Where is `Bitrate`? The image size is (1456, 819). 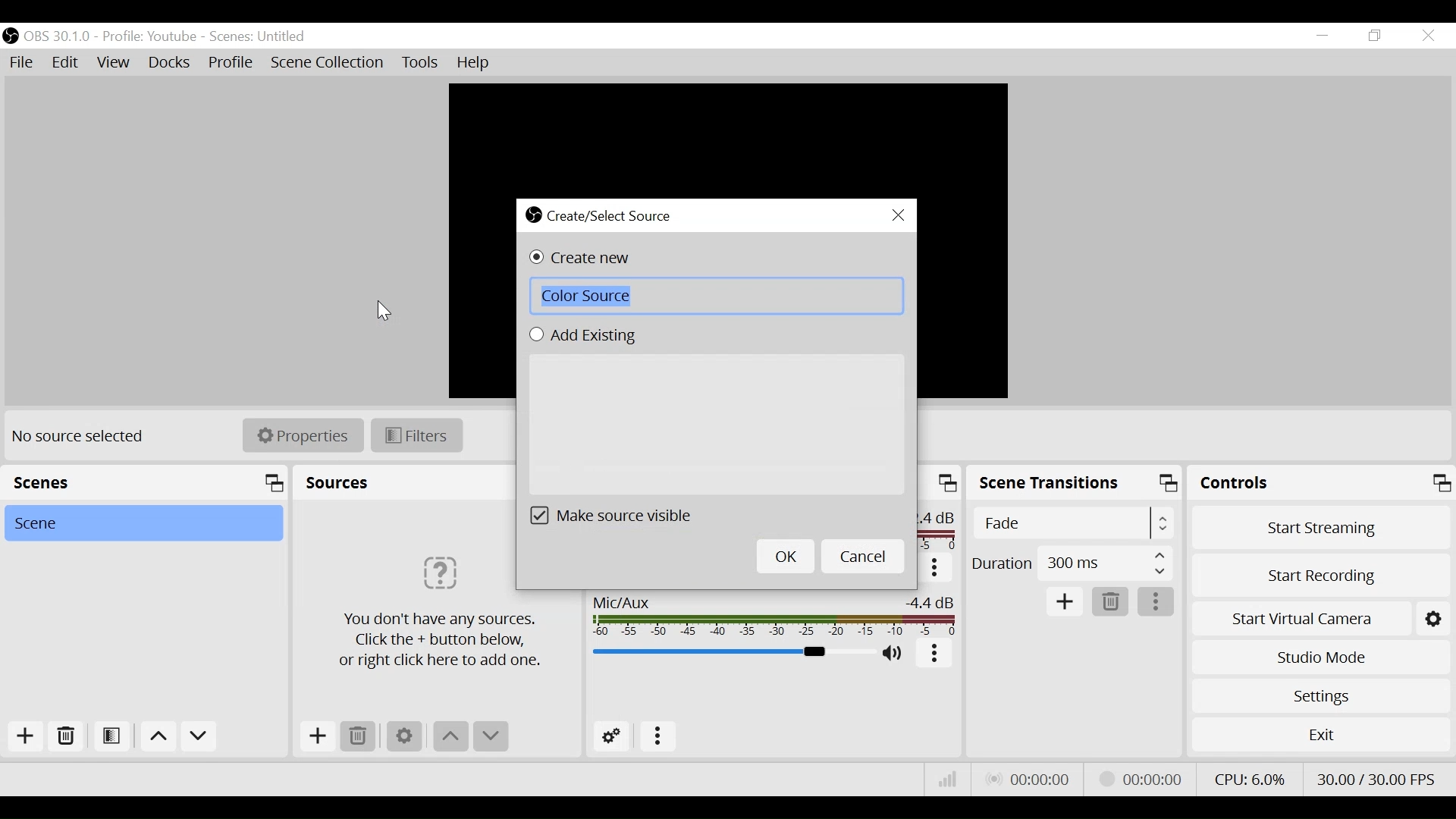 Bitrate is located at coordinates (945, 780).